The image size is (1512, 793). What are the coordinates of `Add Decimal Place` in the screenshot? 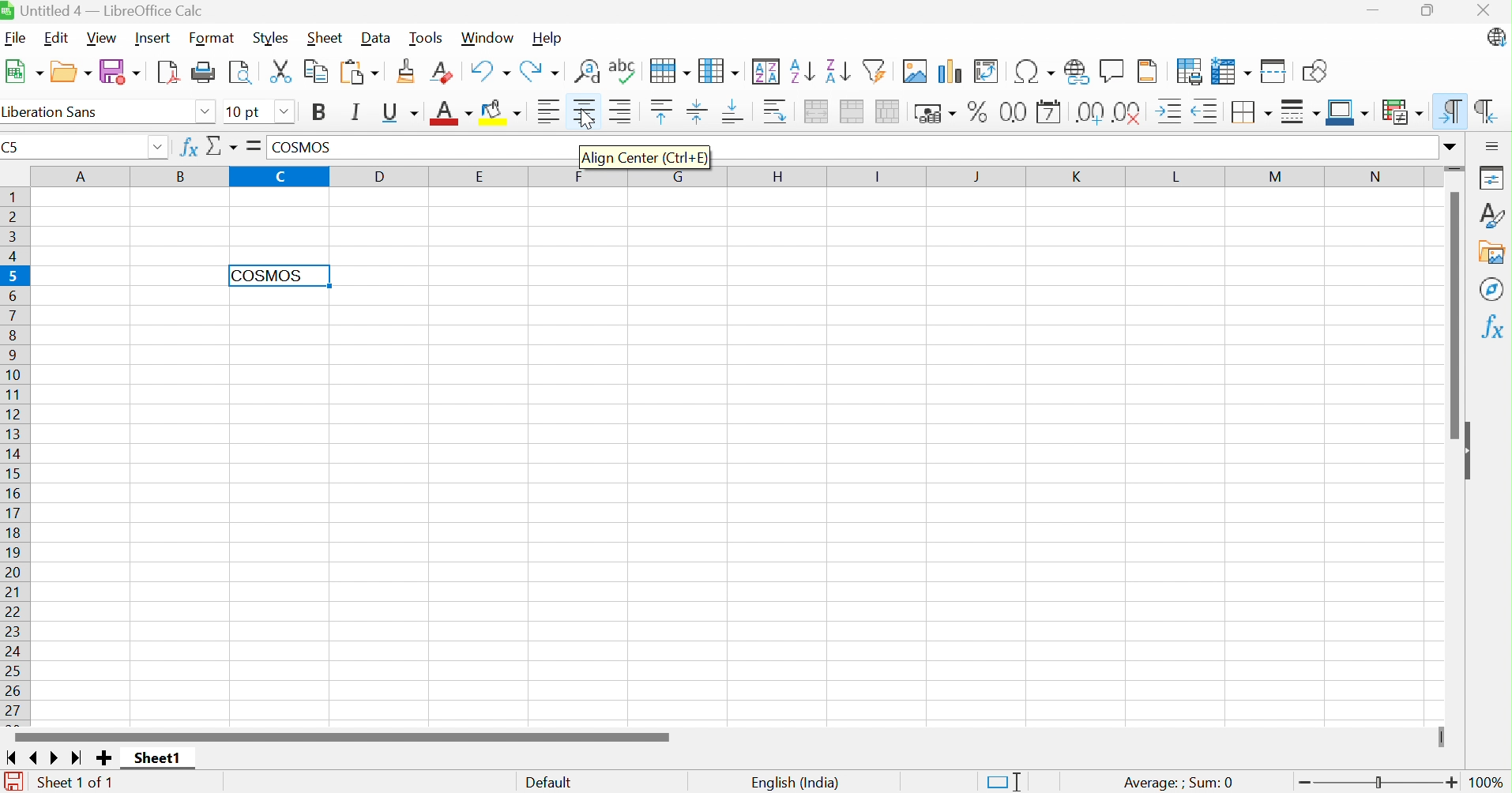 It's located at (1089, 113).